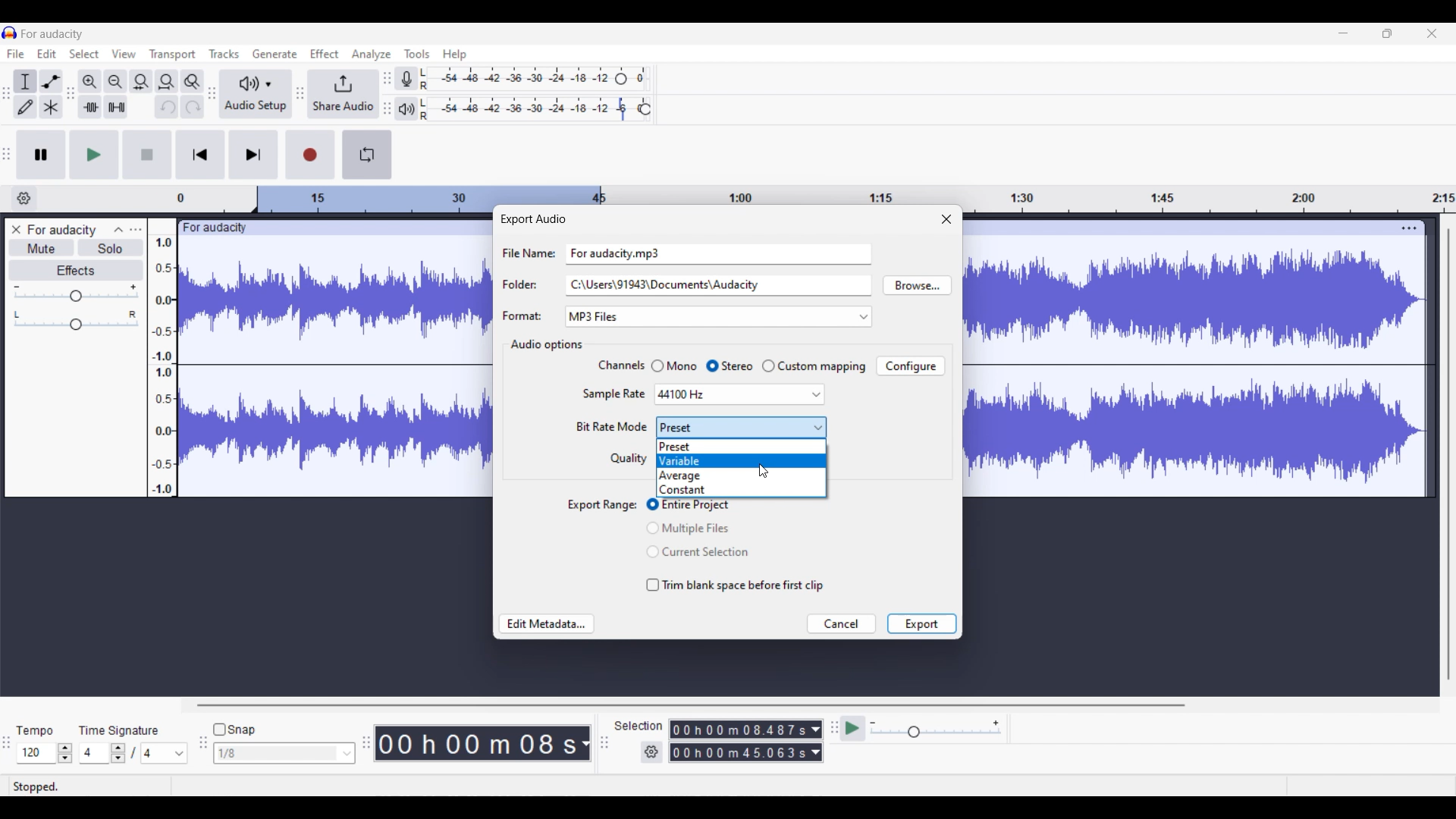 The height and width of the screenshot is (819, 1456). Describe the element at coordinates (42, 247) in the screenshot. I see `Mute` at that location.